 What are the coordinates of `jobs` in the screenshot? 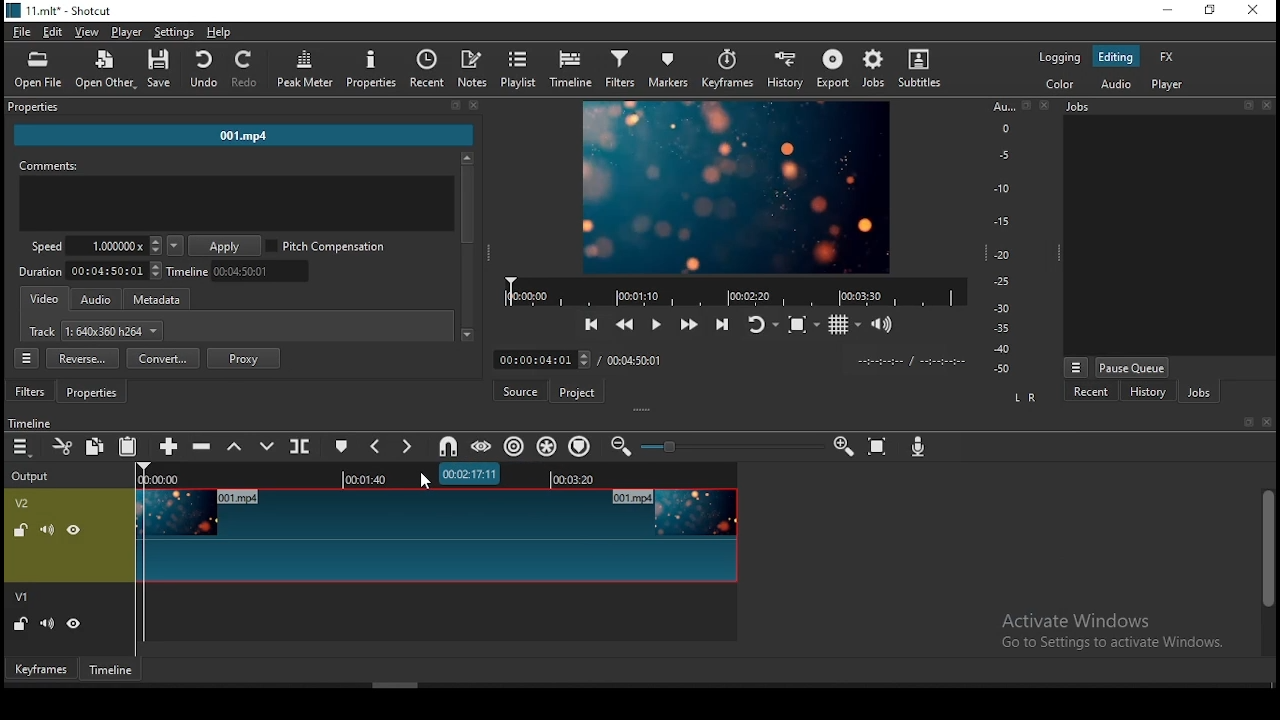 It's located at (1199, 392).